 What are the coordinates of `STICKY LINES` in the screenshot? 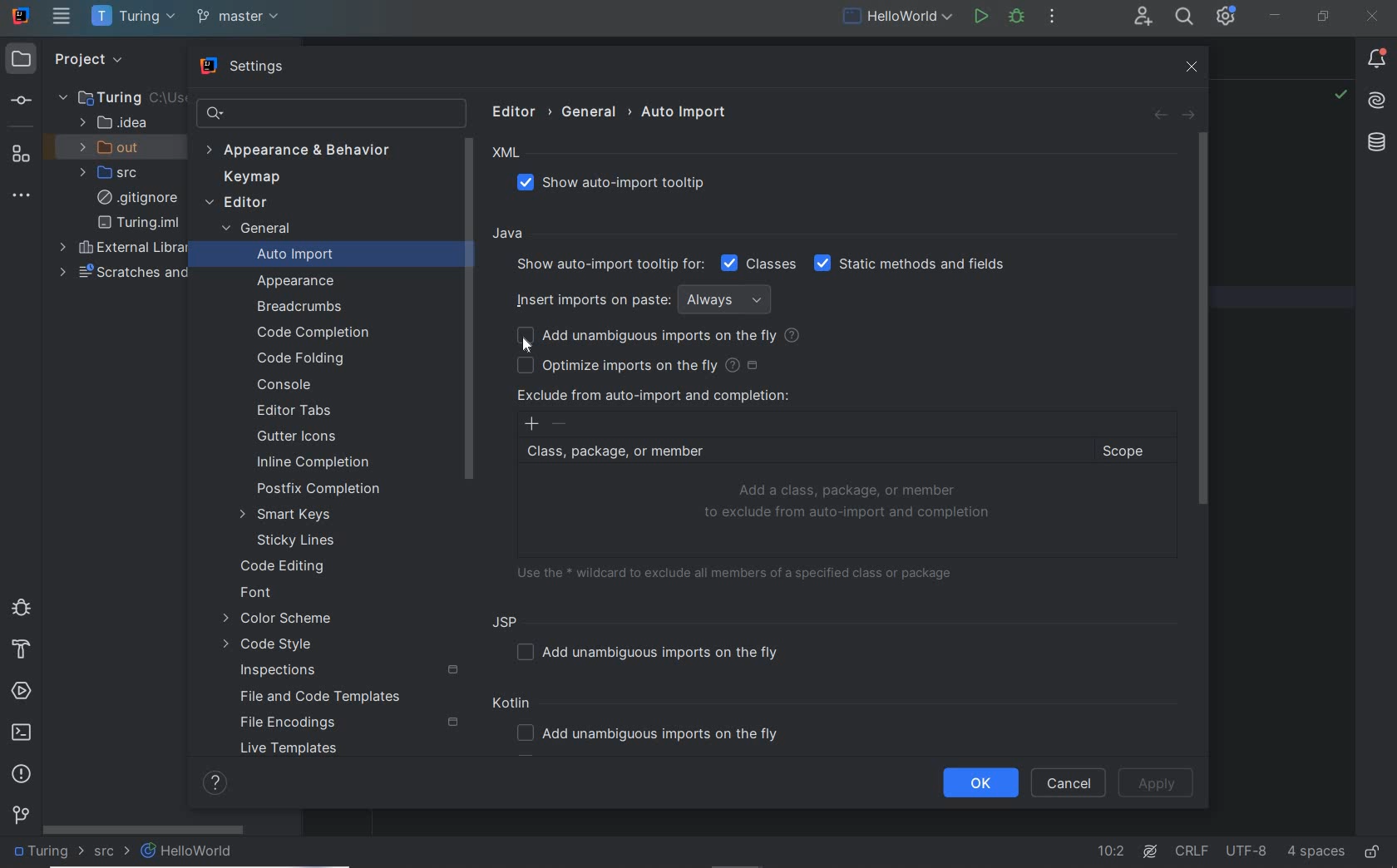 It's located at (298, 540).